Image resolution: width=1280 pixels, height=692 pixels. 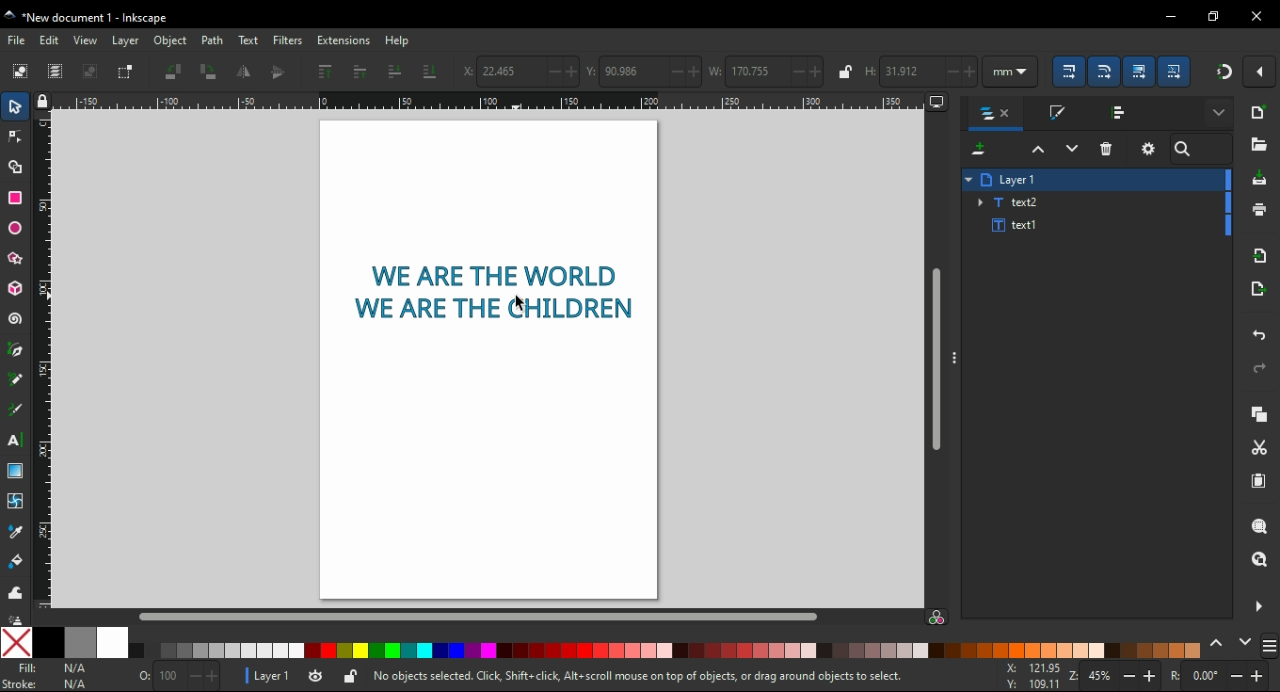 What do you see at coordinates (1117, 675) in the screenshot?
I see `zoom in/zoom out` at bounding box center [1117, 675].